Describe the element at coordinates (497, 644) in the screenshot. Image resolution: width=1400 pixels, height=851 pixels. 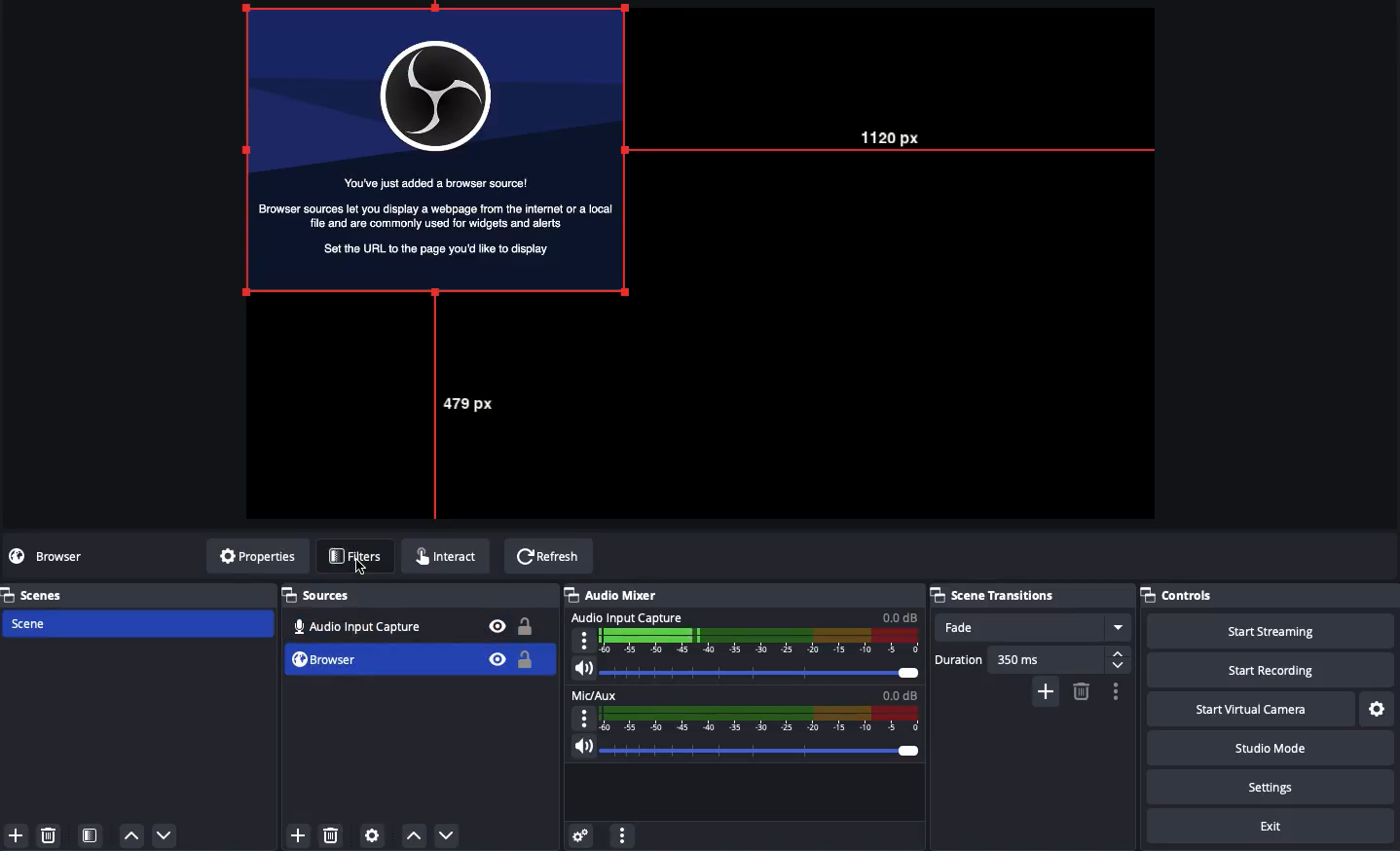
I see `Bible` at that location.